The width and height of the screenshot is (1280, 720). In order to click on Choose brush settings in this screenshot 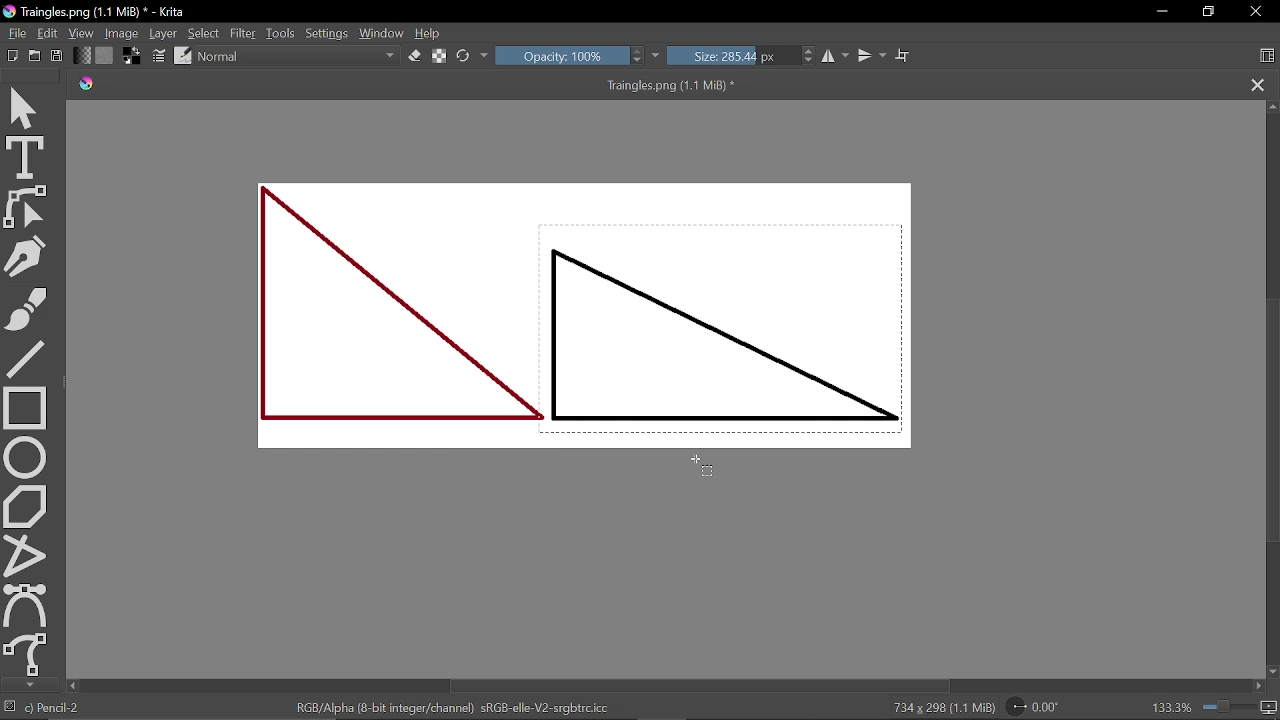, I will do `click(161, 57)`.